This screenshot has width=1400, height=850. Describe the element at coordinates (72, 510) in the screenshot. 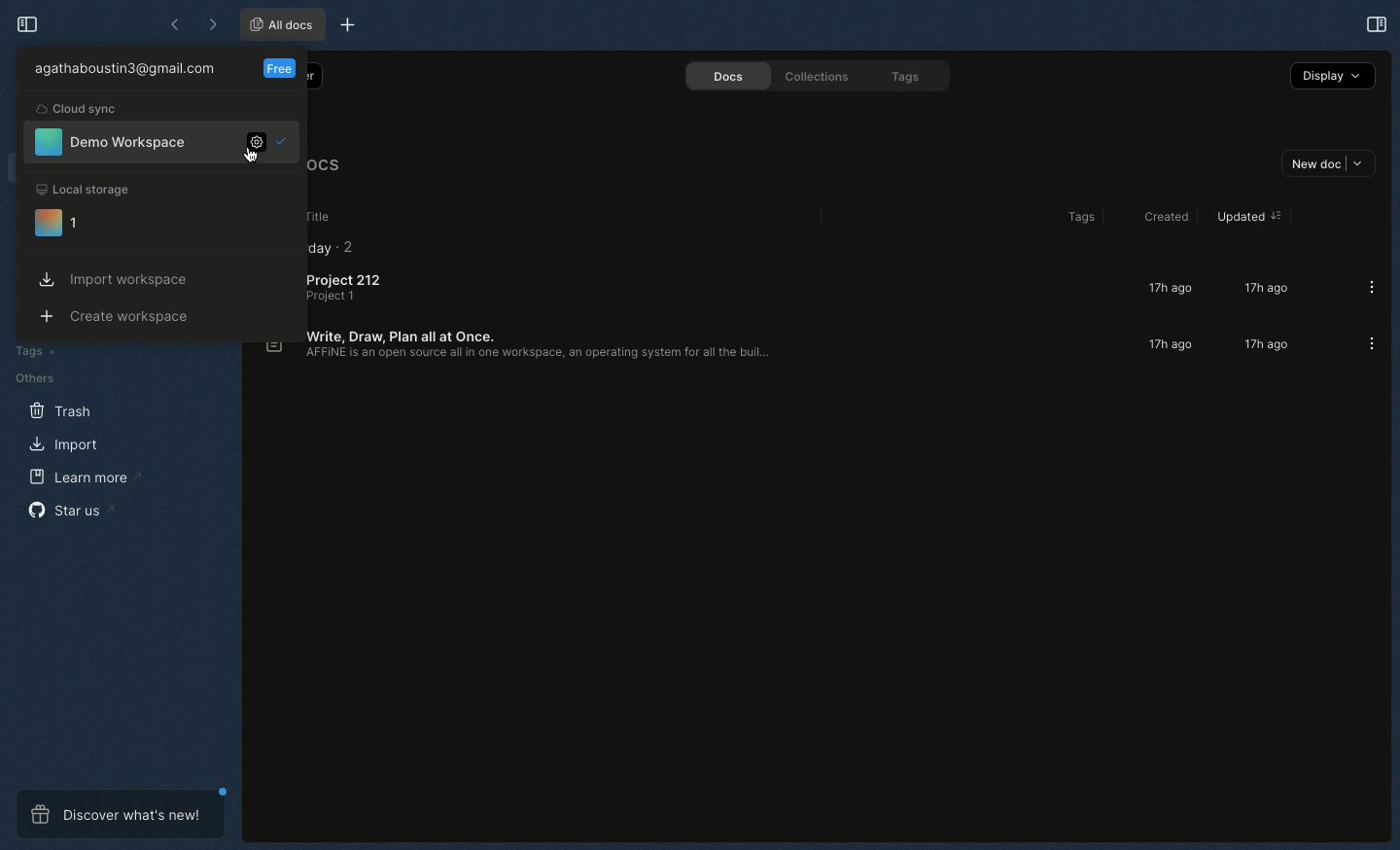

I see `Star us` at that location.